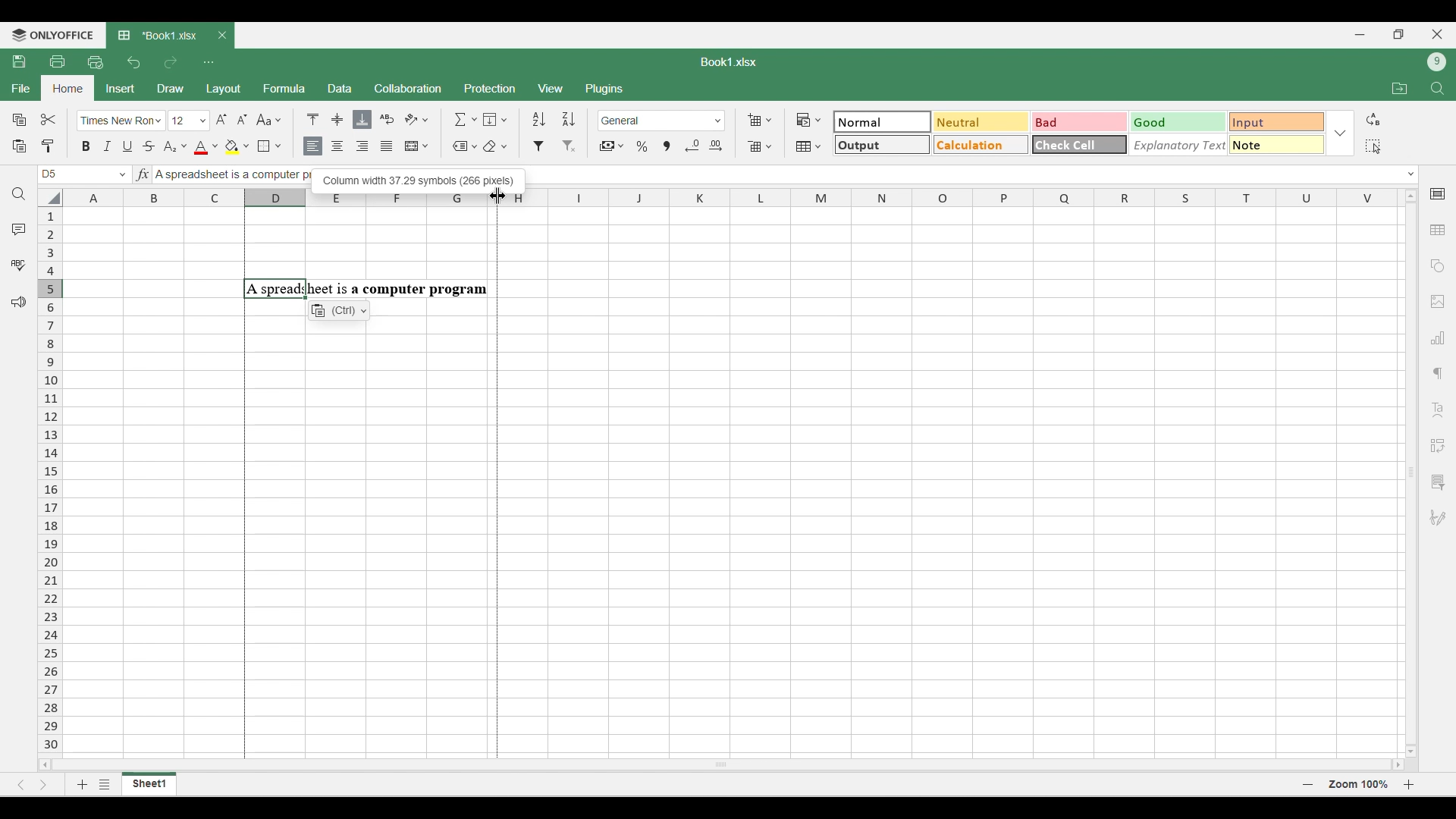 The image size is (1456, 819). I want to click on A spreadsheet is a computer program, so click(366, 289).